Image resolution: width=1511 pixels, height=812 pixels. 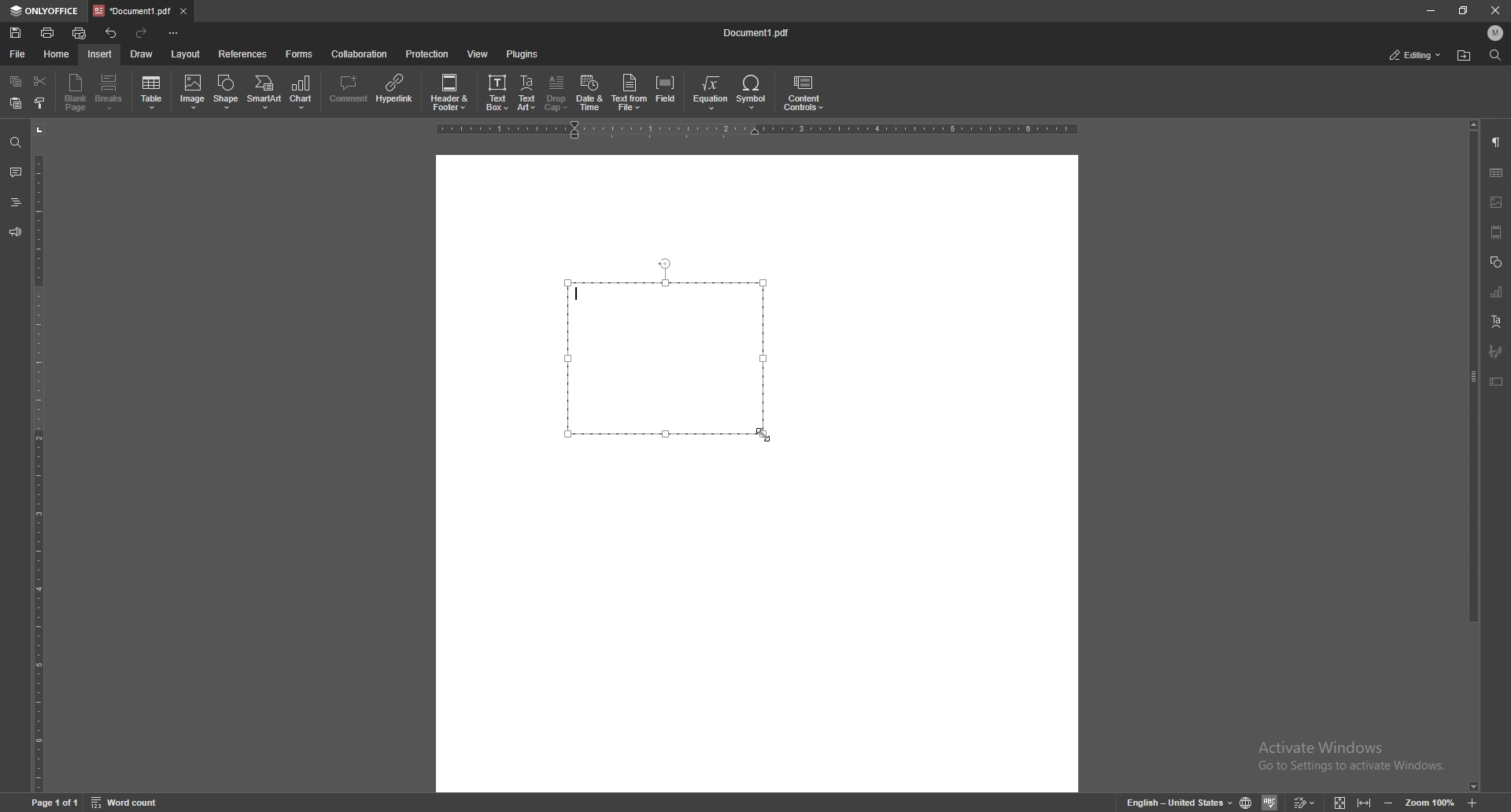 I want to click on vertical scale, so click(x=38, y=457).